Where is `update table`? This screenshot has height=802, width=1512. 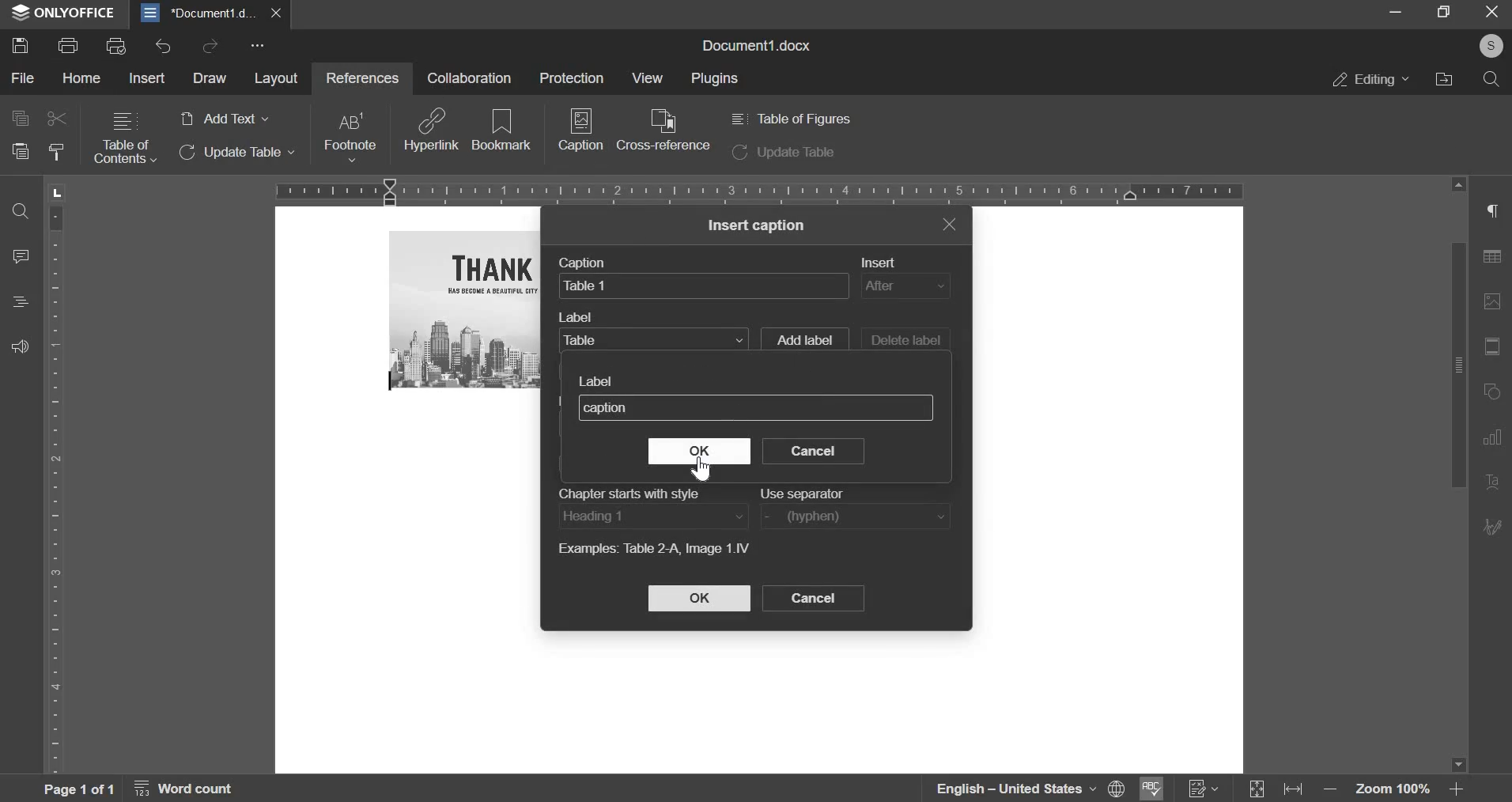
update table is located at coordinates (784, 153).